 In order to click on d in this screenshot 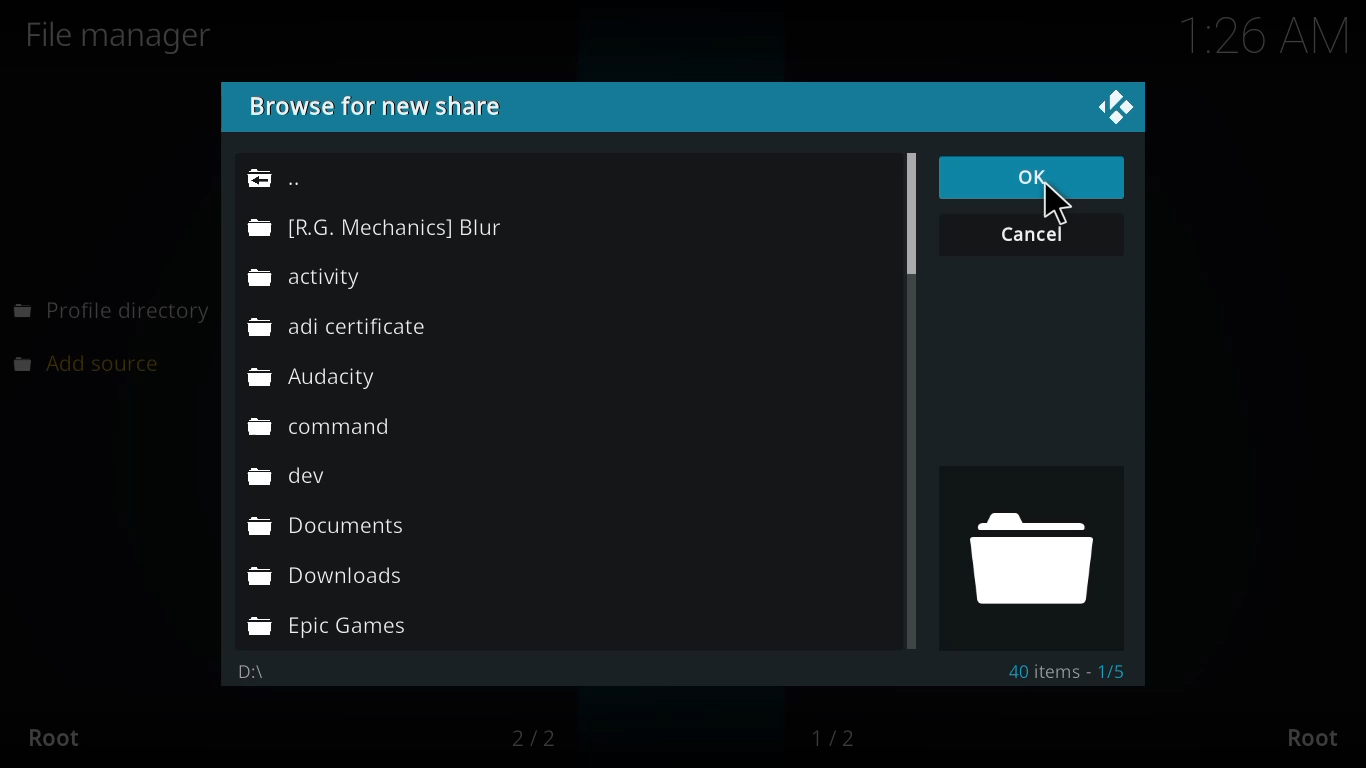, I will do `click(250, 673)`.